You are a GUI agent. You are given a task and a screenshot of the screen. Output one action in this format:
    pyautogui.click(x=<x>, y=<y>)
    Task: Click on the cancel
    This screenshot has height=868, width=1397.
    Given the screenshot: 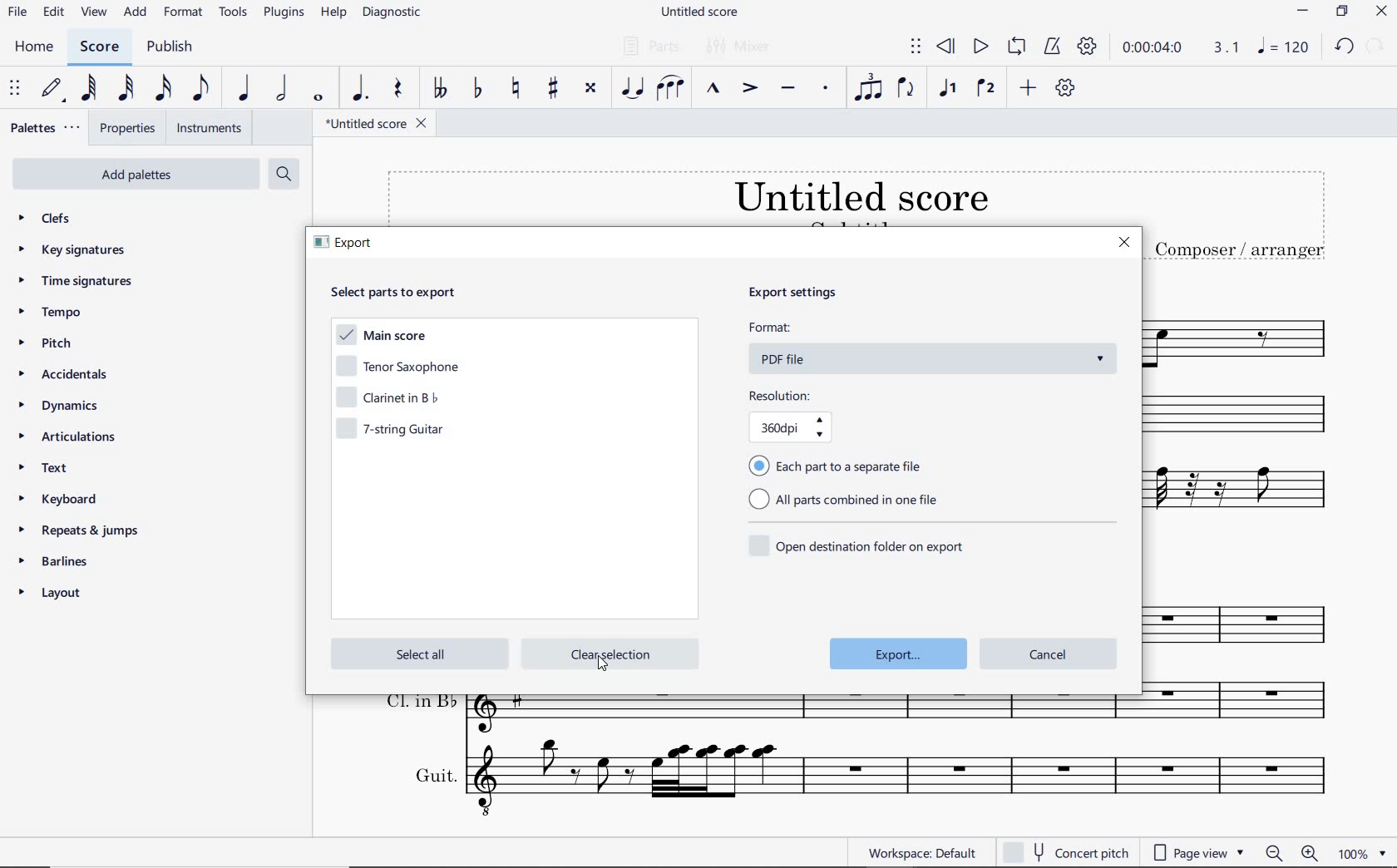 What is the action you would take?
    pyautogui.click(x=1049, y=652)
    